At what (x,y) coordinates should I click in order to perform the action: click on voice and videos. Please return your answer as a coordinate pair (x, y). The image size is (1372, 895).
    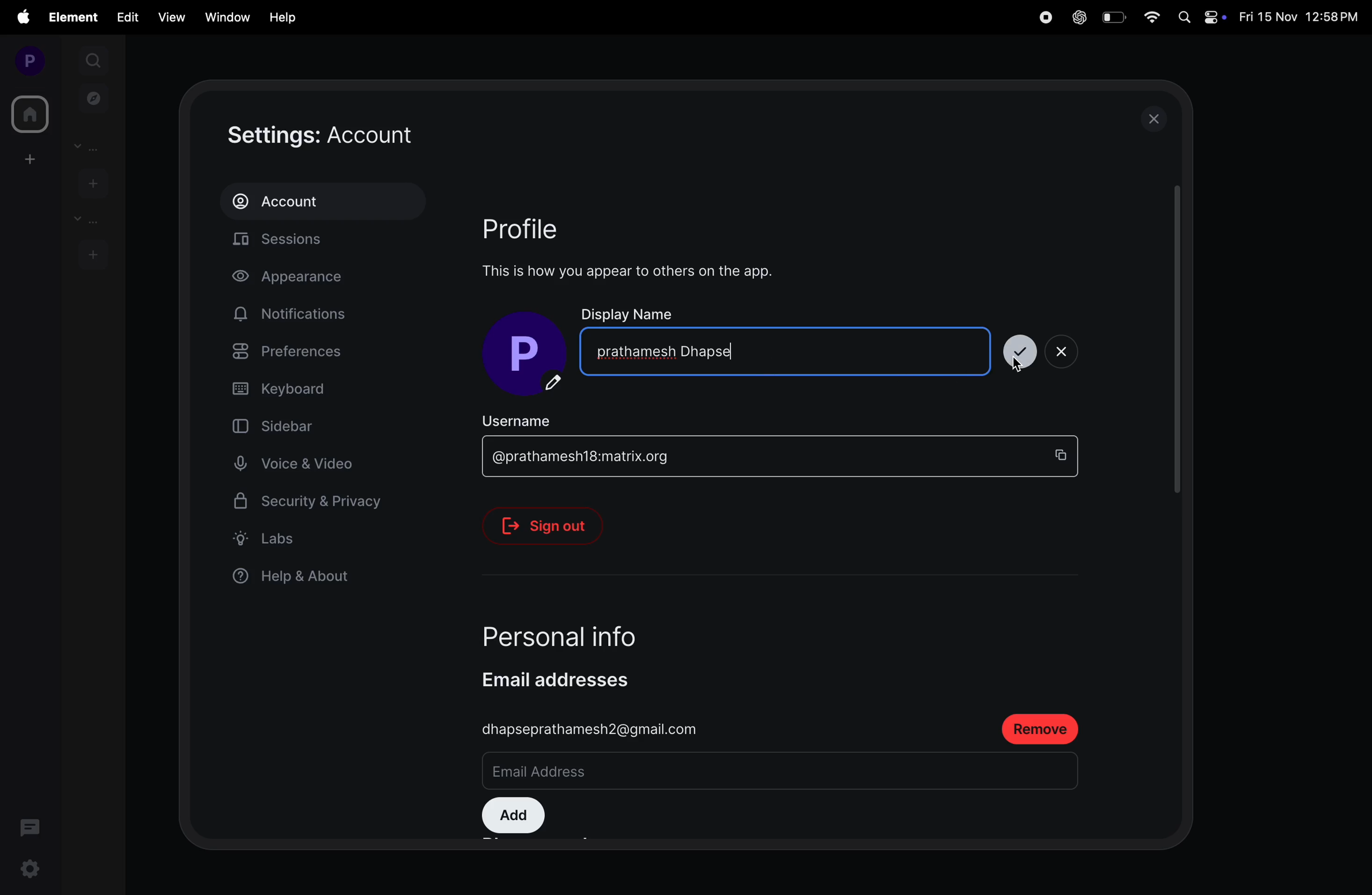
    Looking at the image, I should click on (300, 464).